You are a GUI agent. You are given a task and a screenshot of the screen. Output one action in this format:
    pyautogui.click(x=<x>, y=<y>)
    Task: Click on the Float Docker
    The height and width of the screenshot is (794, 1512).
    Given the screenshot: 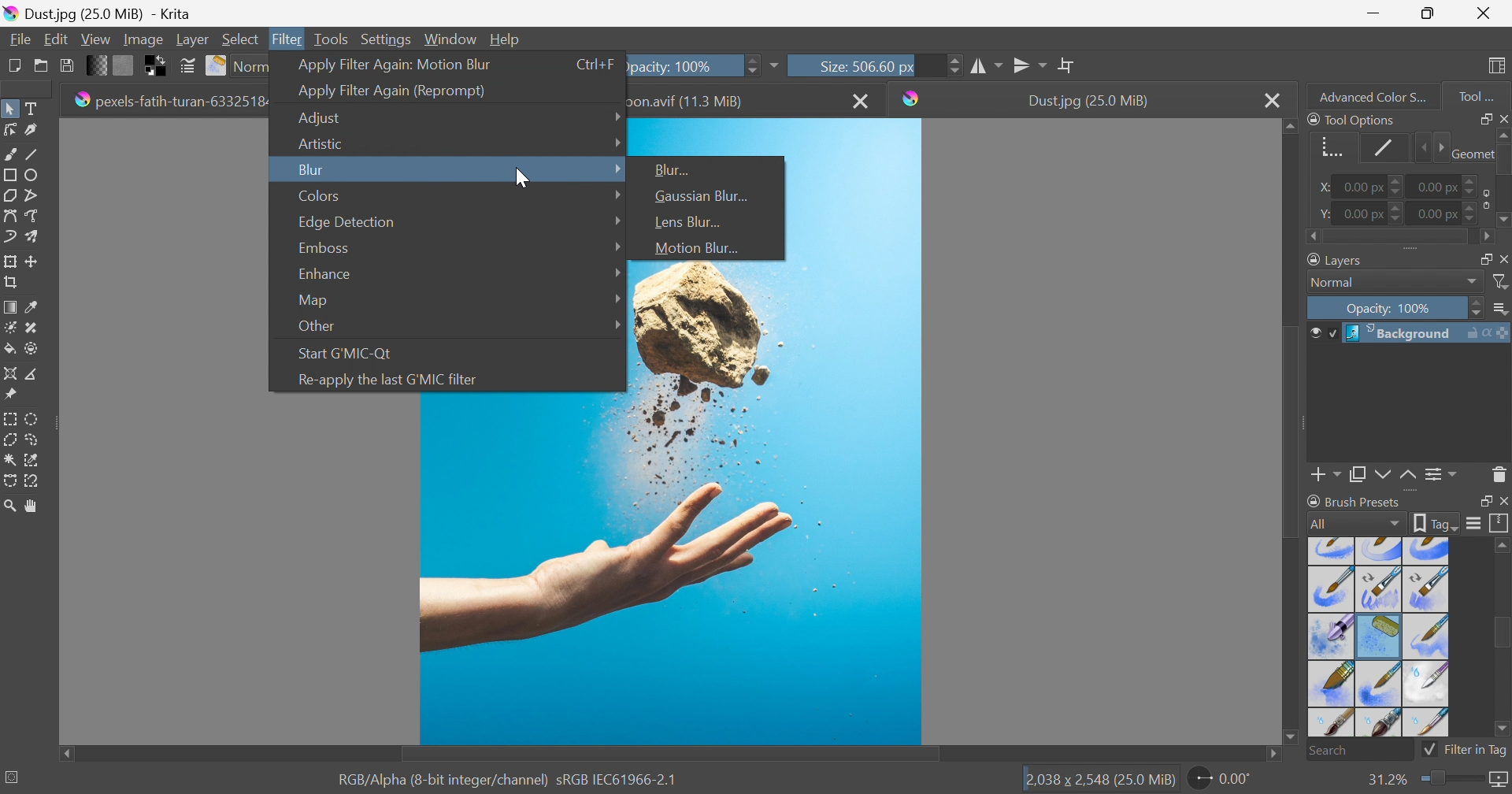 What is the action you would take?
    pyautogui.click(x=1483, y=118)
    